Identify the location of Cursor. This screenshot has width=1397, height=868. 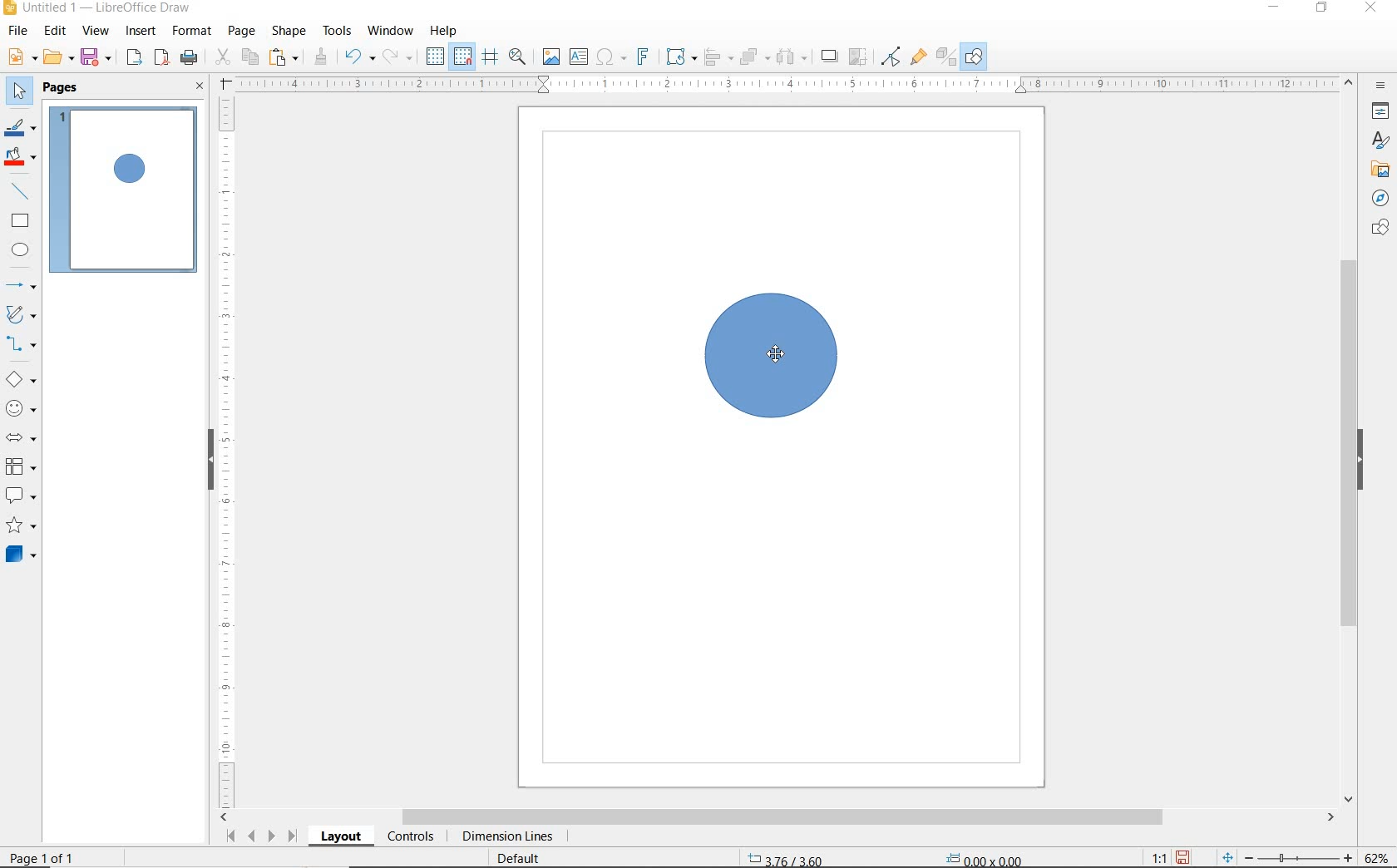
(776, 357).